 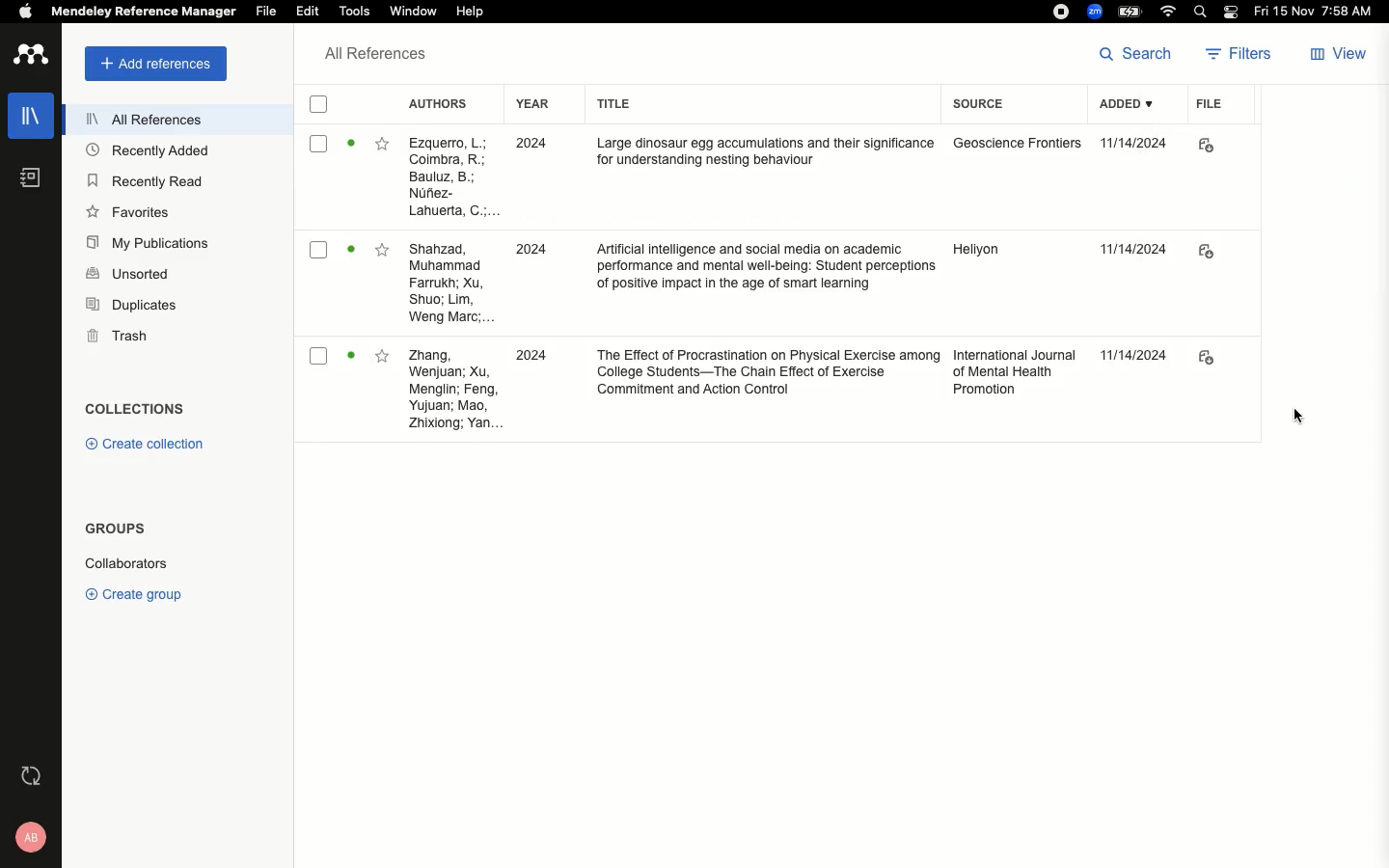 I want to click on nang,
Venjuan; Xu,
tenglin; Feng,
ujuan; Mao,
hixiong; Yan., so click(x=450, y=390).